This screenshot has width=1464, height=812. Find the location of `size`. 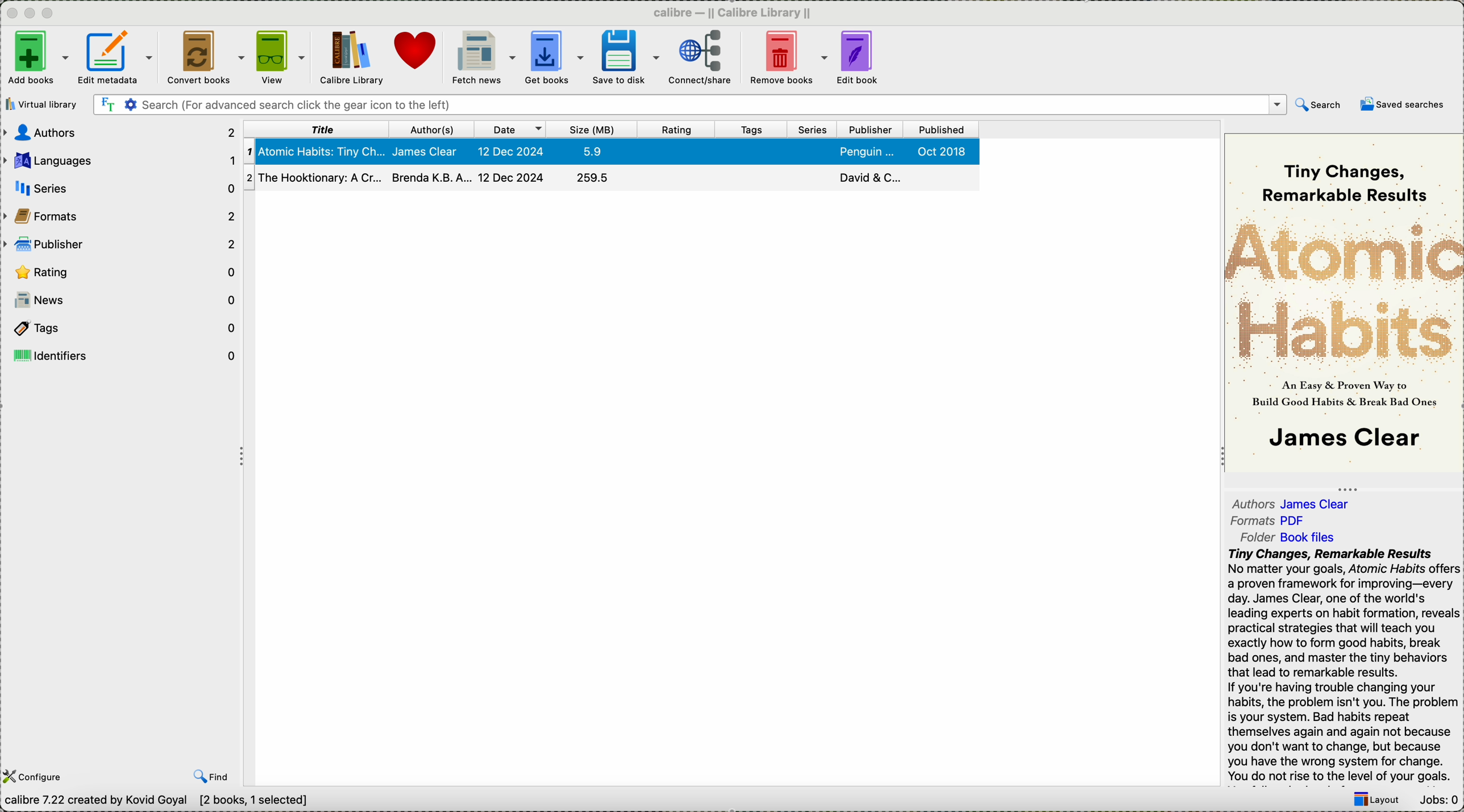

size is located at coordinates (591, 129).